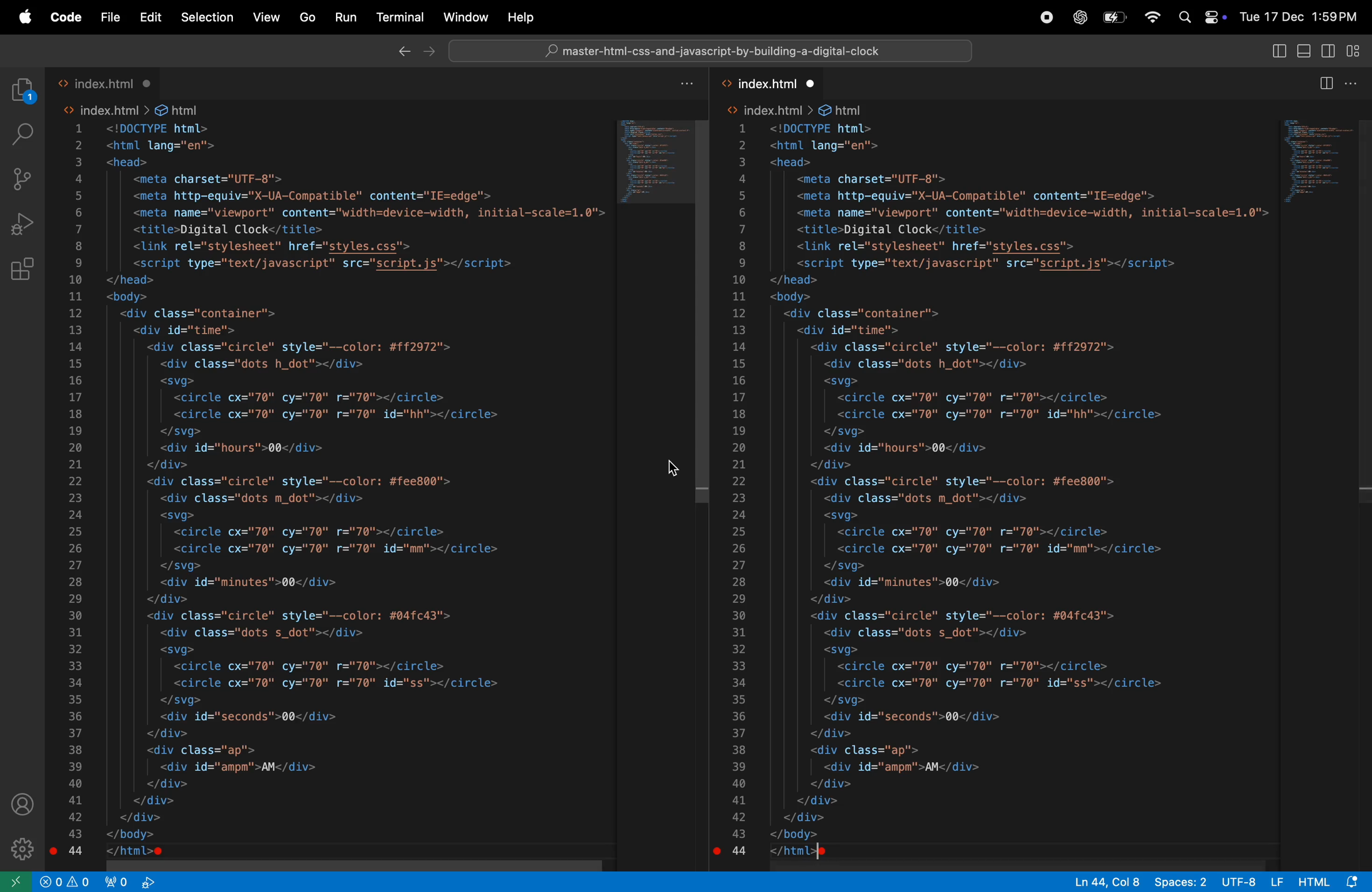  I want to click on <!DOCTYPE html>
<html lang="en">
<head>
<meta charset="UTF-8">
<meta http-equiv="X-UA-Compatible" content="IE=edge'>
<meta name="viewport" content="width=device-width, initial-scale=1.0">
<title>Digital Clock</title>
<link rel="stylesheet" href="styles.css">
<script type="text/javascript" src="script.js"></script>
</head>
<body>
<div class="container">
<div id="time">
<div class="circle" style="--color: #ff2972">
<div class="dots h_dot"></div>
<svg>
<circle cx="70" cy="70" r="70"></circle>
<circle cx="70" cy="70" r="70" id="hh"></circle>
</svg>
<div id="hours">00</div>
</div>
<div class="circle" style="--color: #fee800">
<div class="dots m_dot"></div>
<svg>
<circle cx="70" cy="70" r="70"></circle>
<circle cx="70" cy="70" r="70" id="mm"></circle>
</svg>
<div id="minutes">00</div>
</div>
<div class="circle" style="--color: #04fc43">
<div class="dots s_dot"></div>
<svg>
<circle cx="70" cy="70" r="70"></circle>
<circle cx="70" cy="70" r="70" id="ss"></circle>
</svg>
<div id="seconds">00</div>
</div>
<div class="ap">
<div id="ampm">AM</div>
</div>
</div>
</div>
</body>
</html>e, so click(355, 490).